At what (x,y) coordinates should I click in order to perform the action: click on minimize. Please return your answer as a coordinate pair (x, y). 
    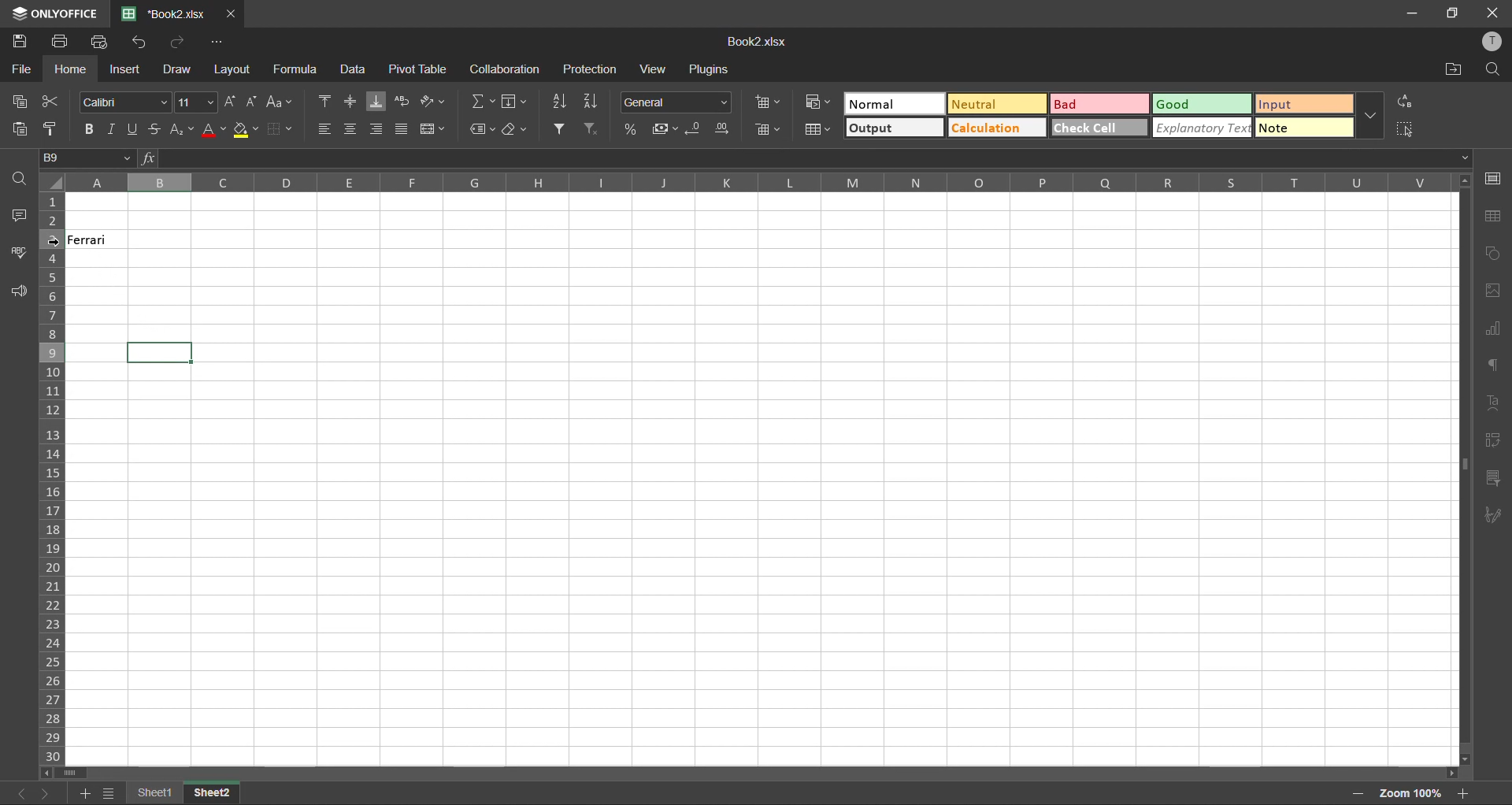
    Looking at the image, I should click on (1410, 13).